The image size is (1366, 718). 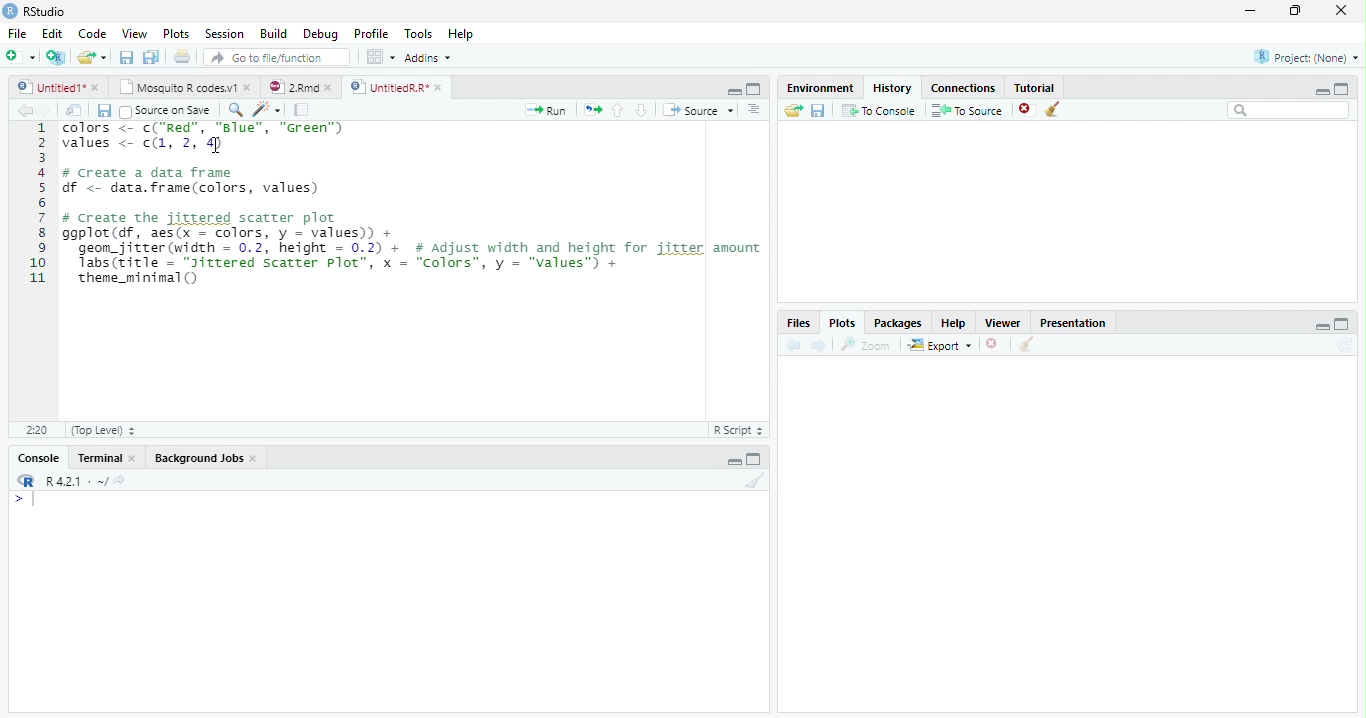 What do you see at coordinates (121, 480) in the screenshot?
I see `View the current working directory` at bounding box center [121, 480].